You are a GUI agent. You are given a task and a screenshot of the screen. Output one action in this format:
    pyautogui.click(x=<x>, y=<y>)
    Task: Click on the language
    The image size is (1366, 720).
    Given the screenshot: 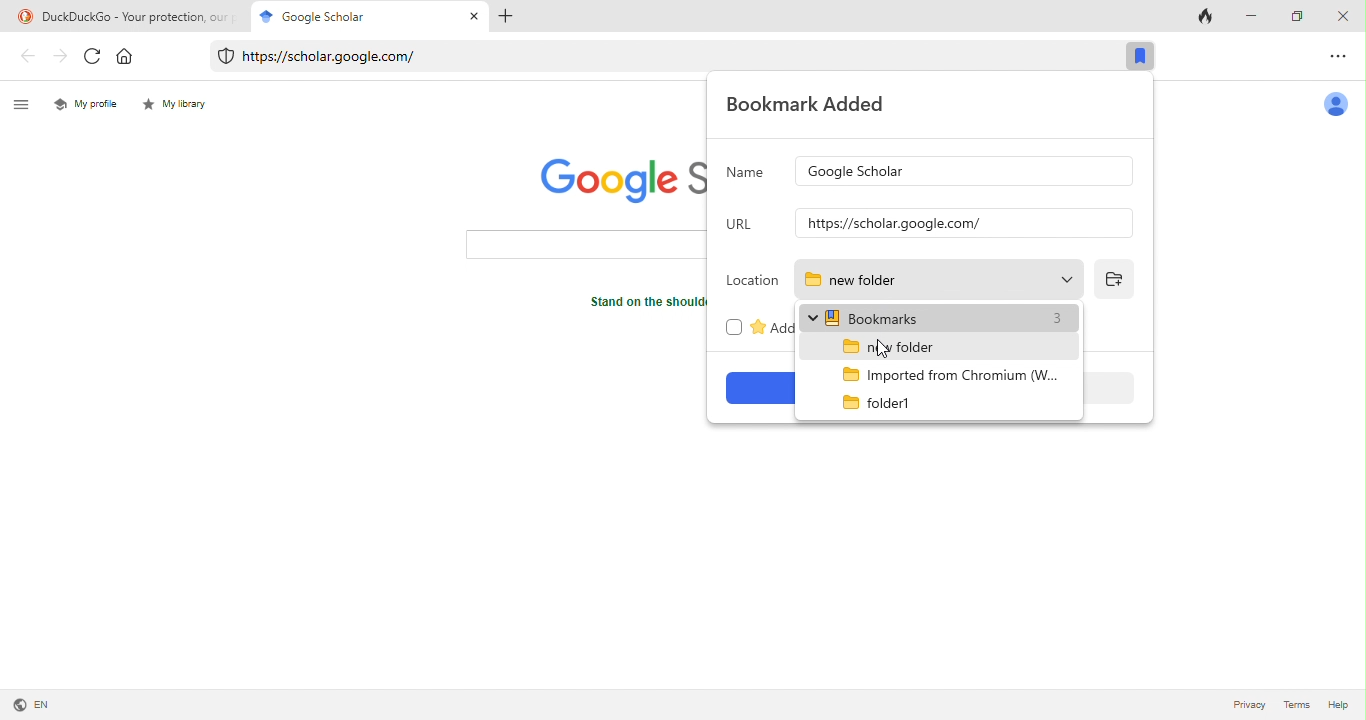 What is the action you would take?
    pyautogui.click(x=32, y=704)
    